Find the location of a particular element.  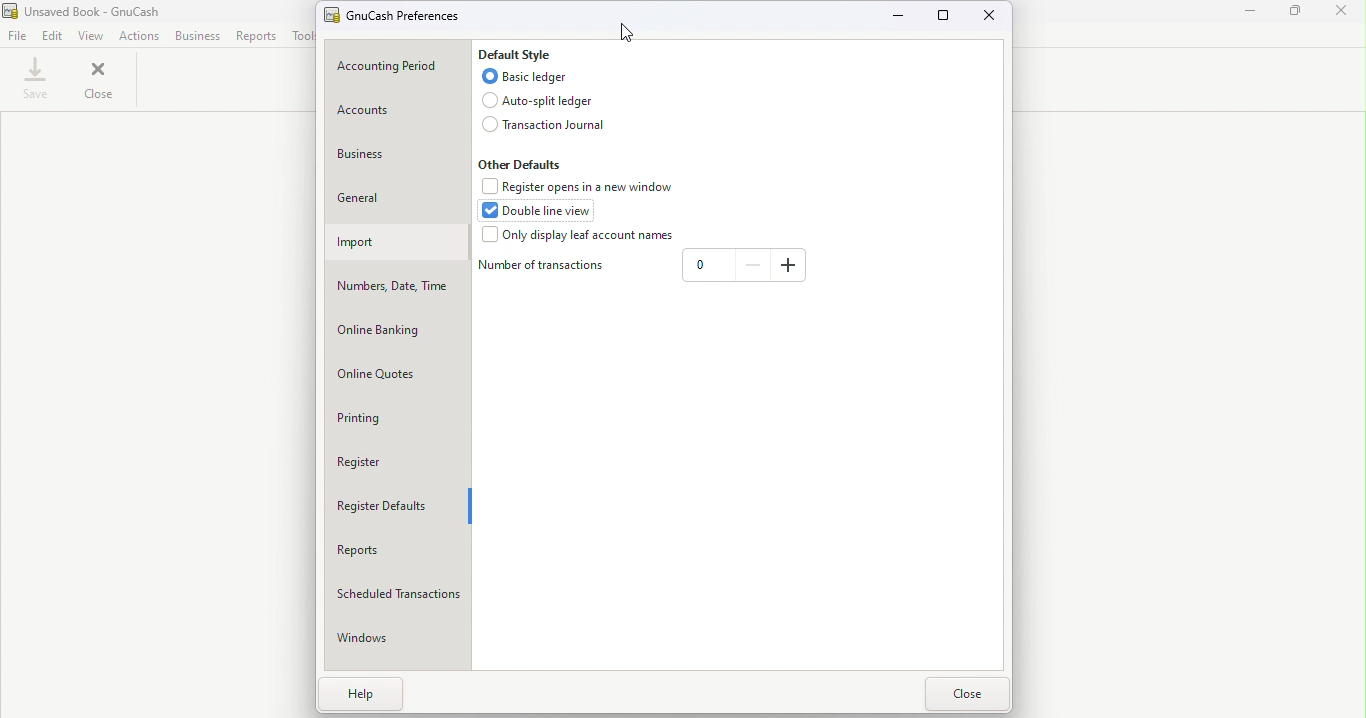

Business is located at coordinates (396, 155).